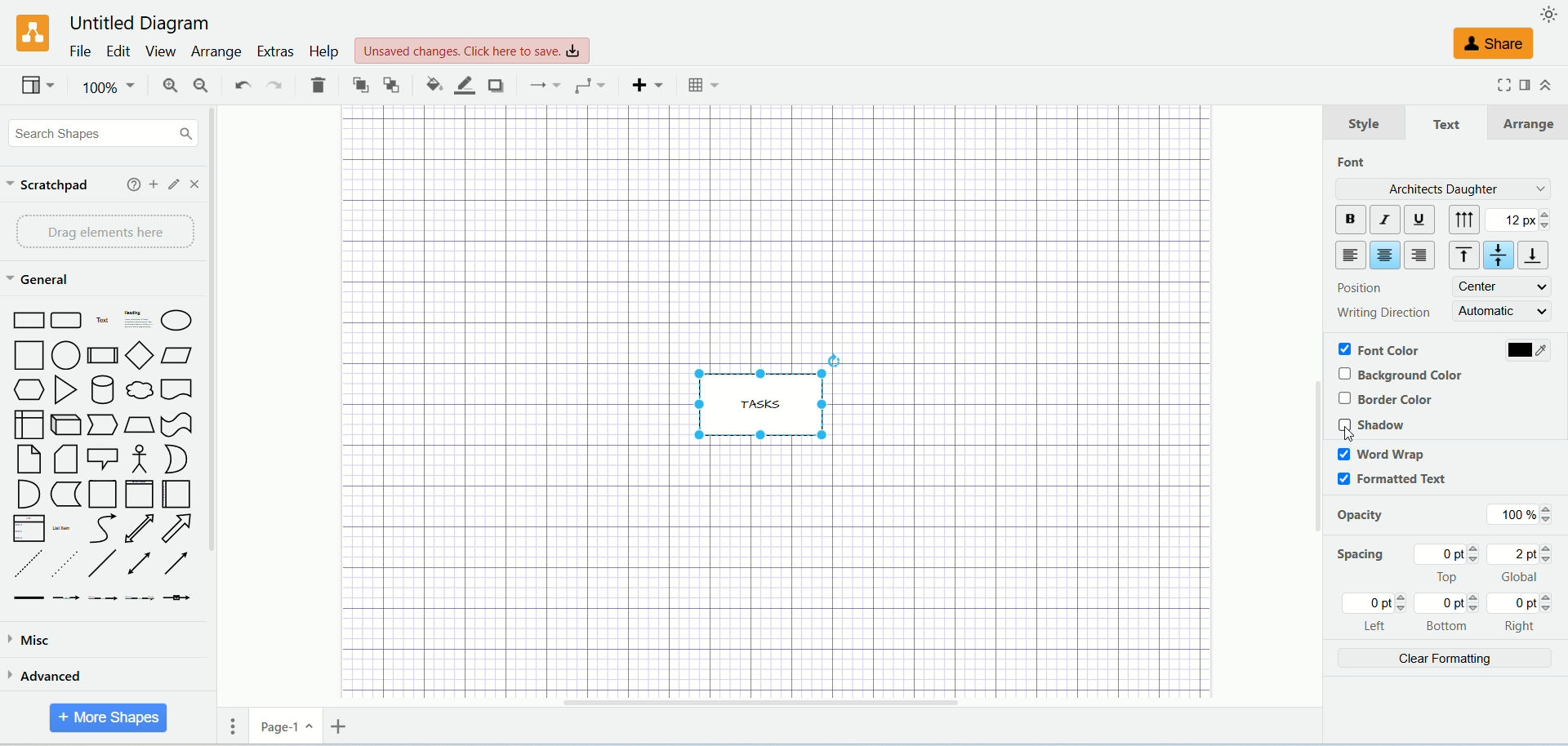 This screenshot has height=746, width=1568. I want to click on shadow, so click(1373, 424).